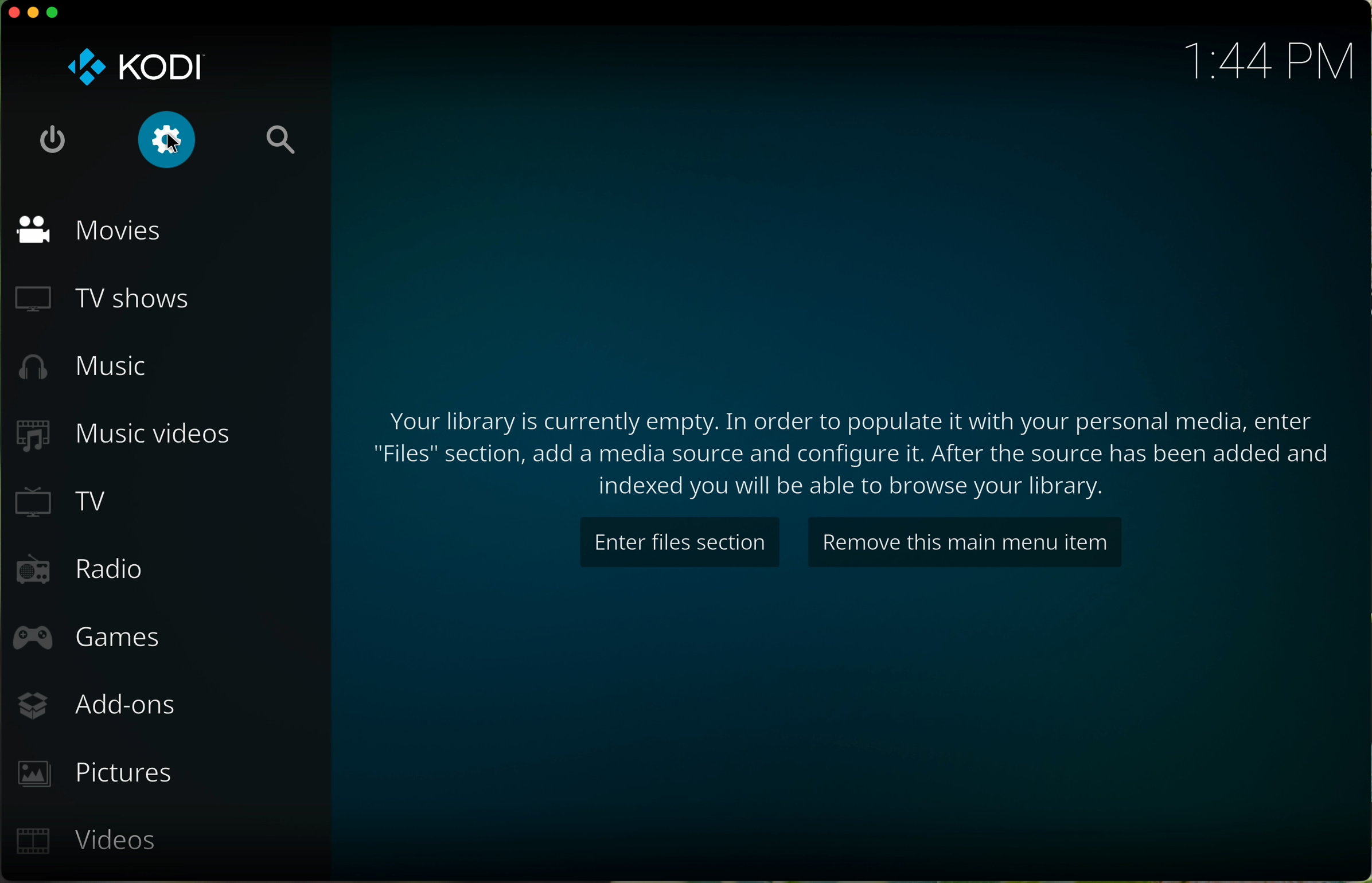 This screenshot has height=883, width=1372. Describe the element at coordinates (57, 11) in the screenshot. I see `maximize` at that location.